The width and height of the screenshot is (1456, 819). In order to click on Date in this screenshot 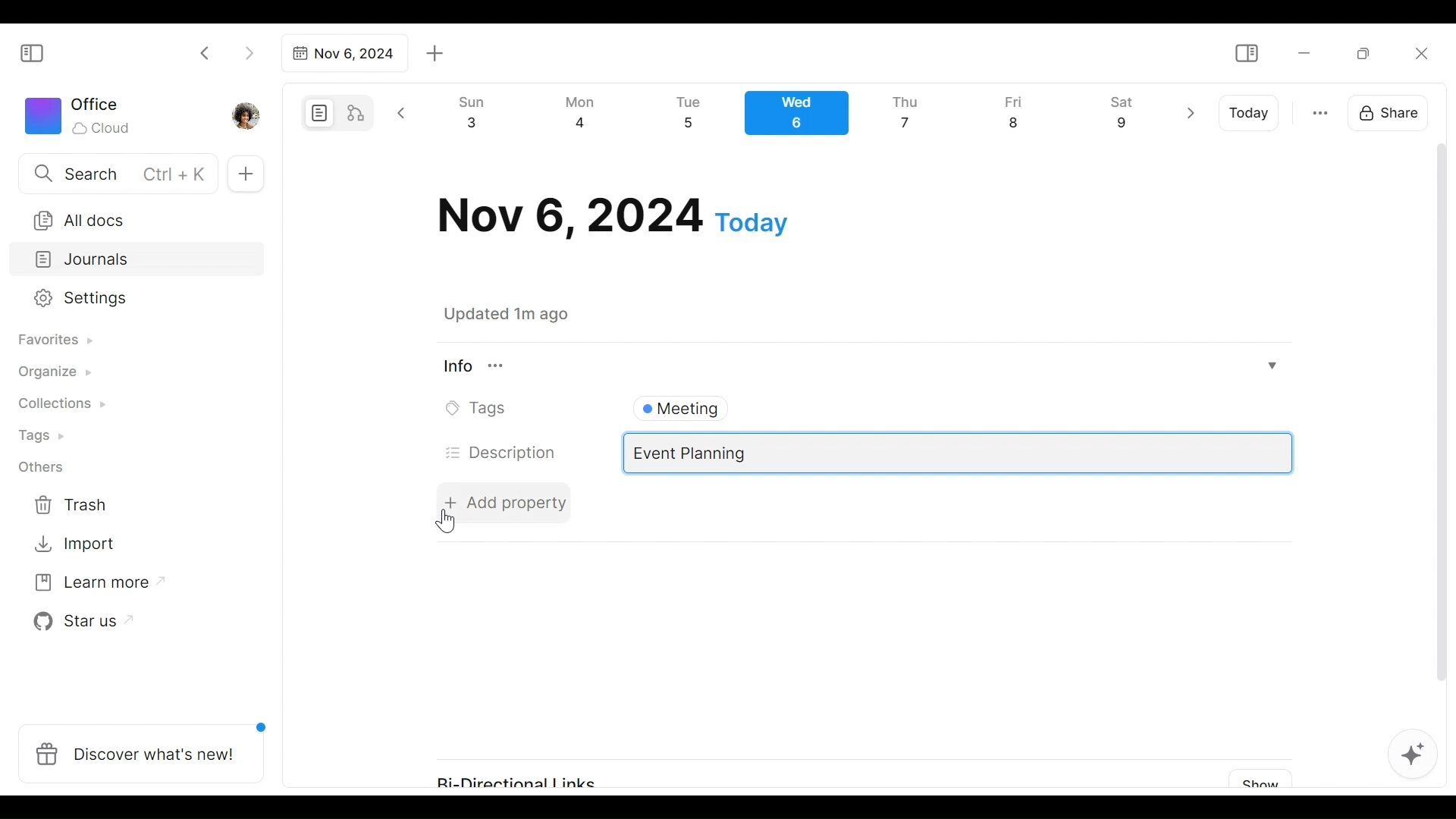, I will do `click(613, 216)`.